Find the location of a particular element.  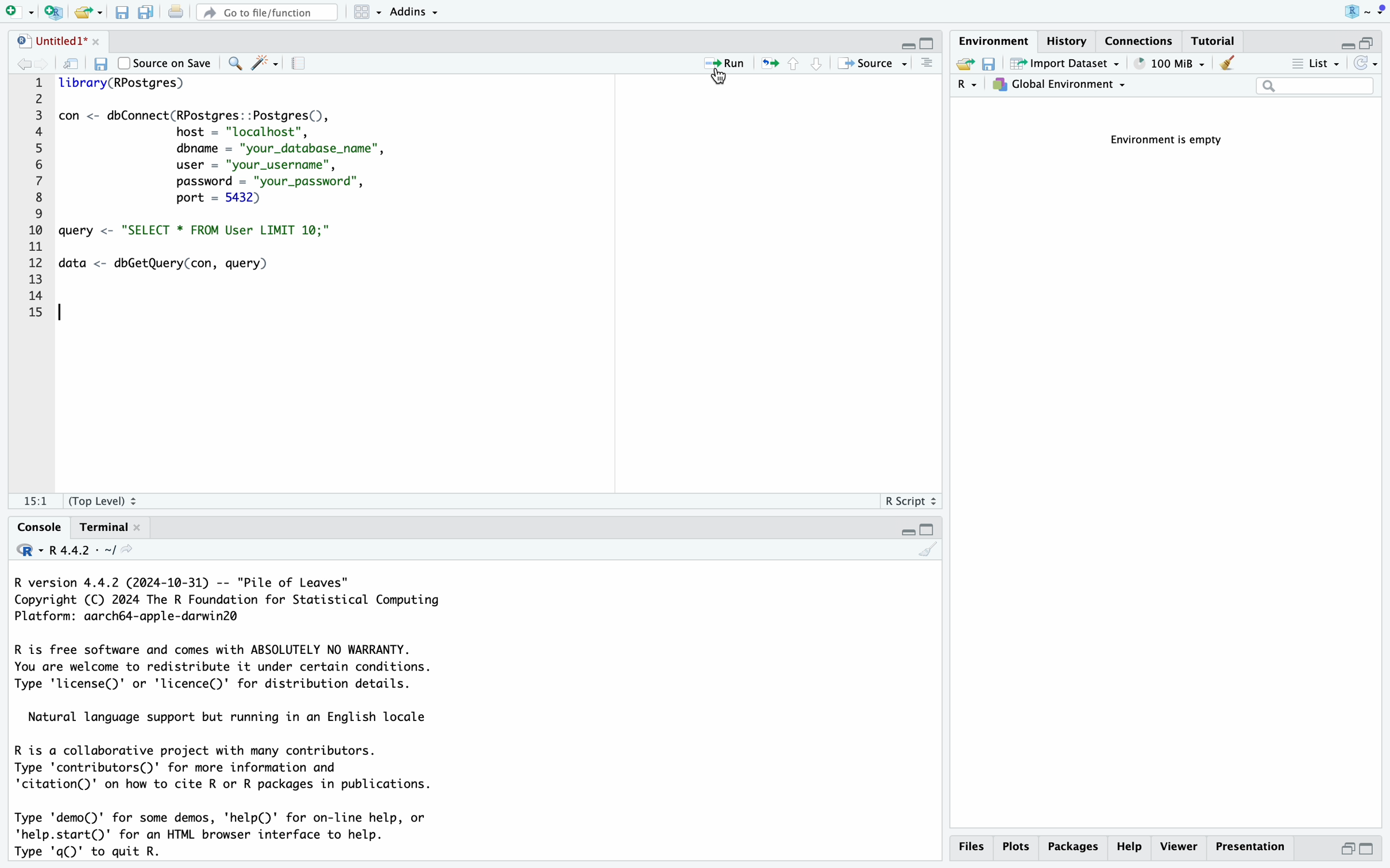

clear console is located at coordinates (928, 553).